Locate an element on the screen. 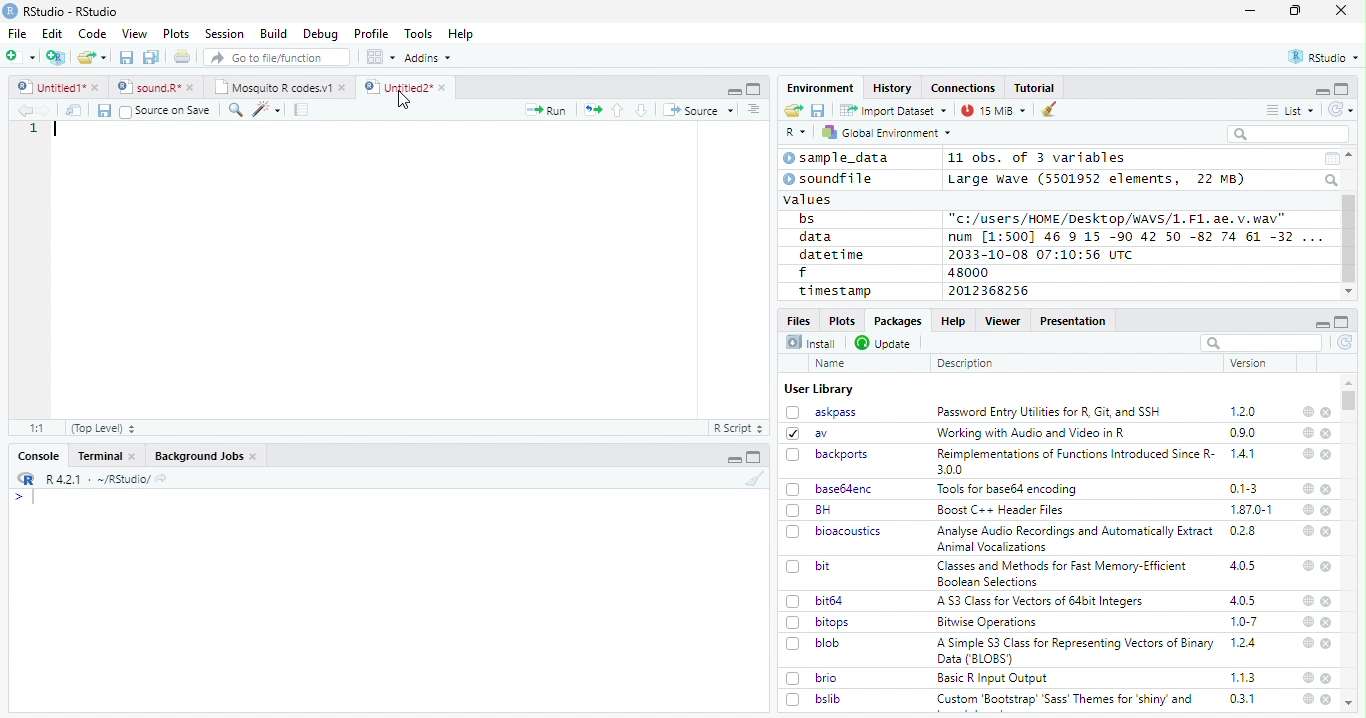  1.4.1 is located at coordinates (1244, 453).